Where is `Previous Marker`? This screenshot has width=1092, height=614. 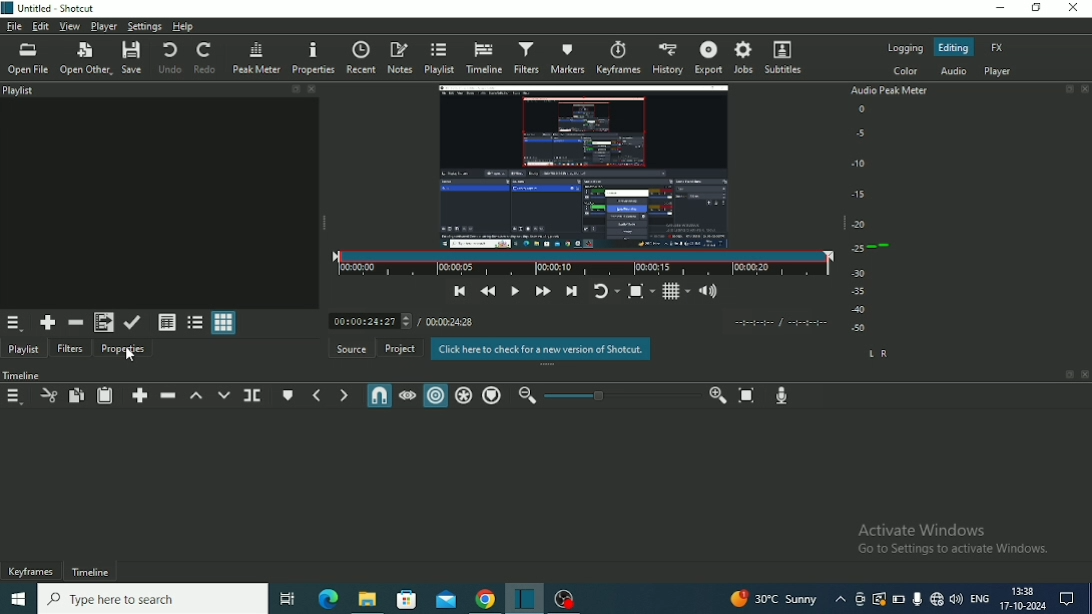
Previous Marker is located at coordinates (316, 395).